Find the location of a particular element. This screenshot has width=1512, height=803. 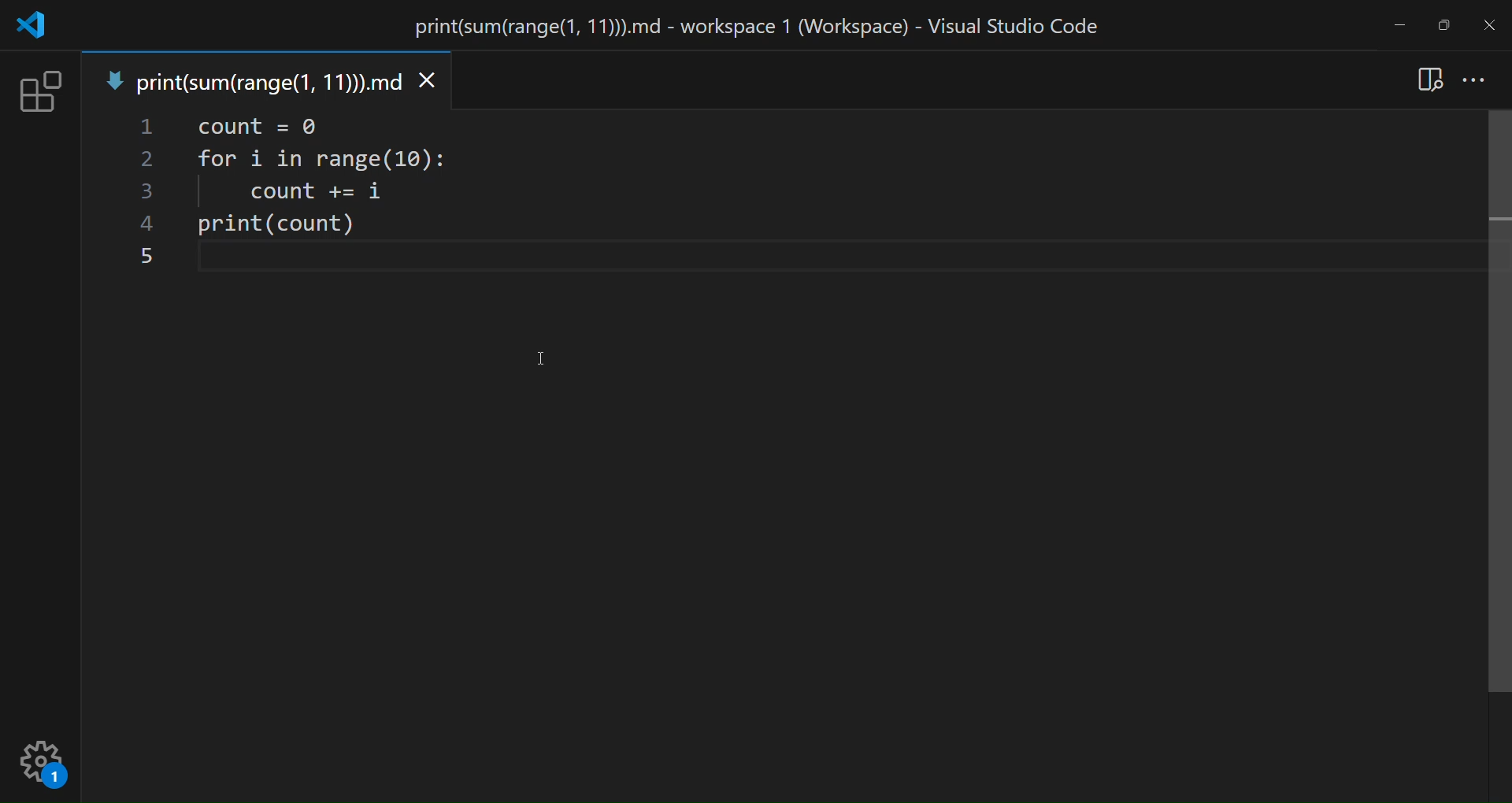

extension is located at coordinates (37, 94).